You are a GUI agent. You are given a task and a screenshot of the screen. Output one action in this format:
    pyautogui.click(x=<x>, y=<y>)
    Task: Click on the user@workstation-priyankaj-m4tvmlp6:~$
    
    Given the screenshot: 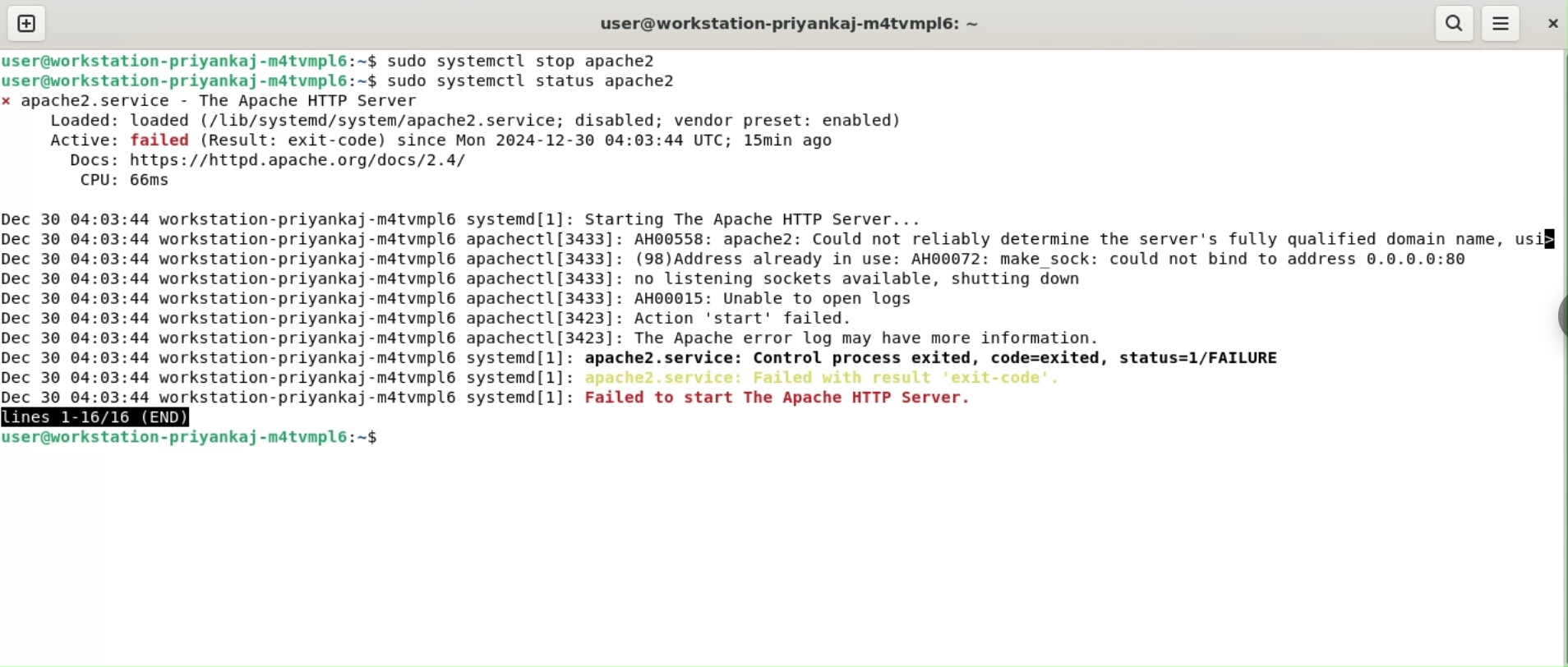 What is the action you would take?
    pyautogui.click(x=191, y=82)
    